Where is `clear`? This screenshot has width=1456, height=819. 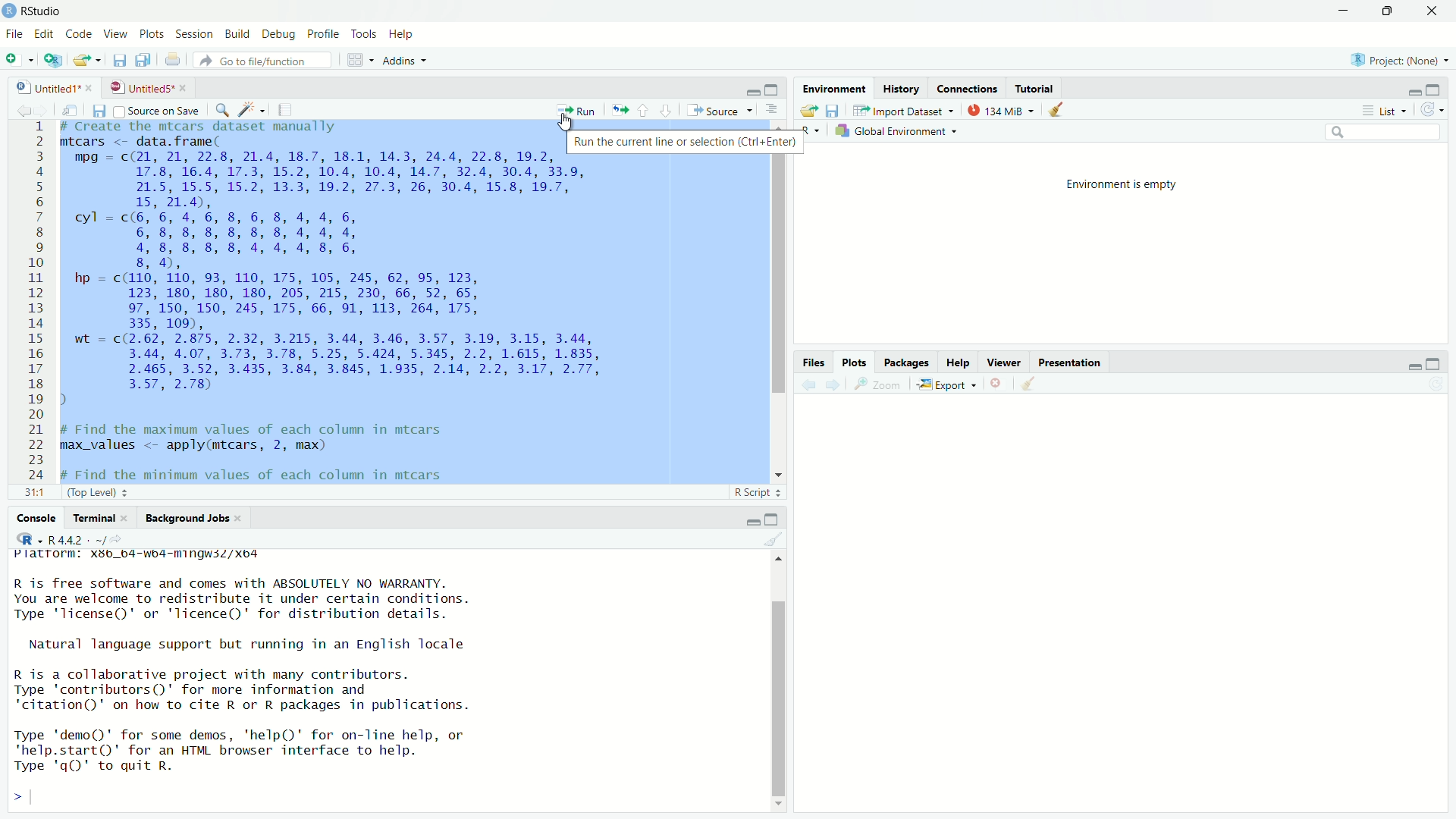 clear is located at coordinates (1039, 385).